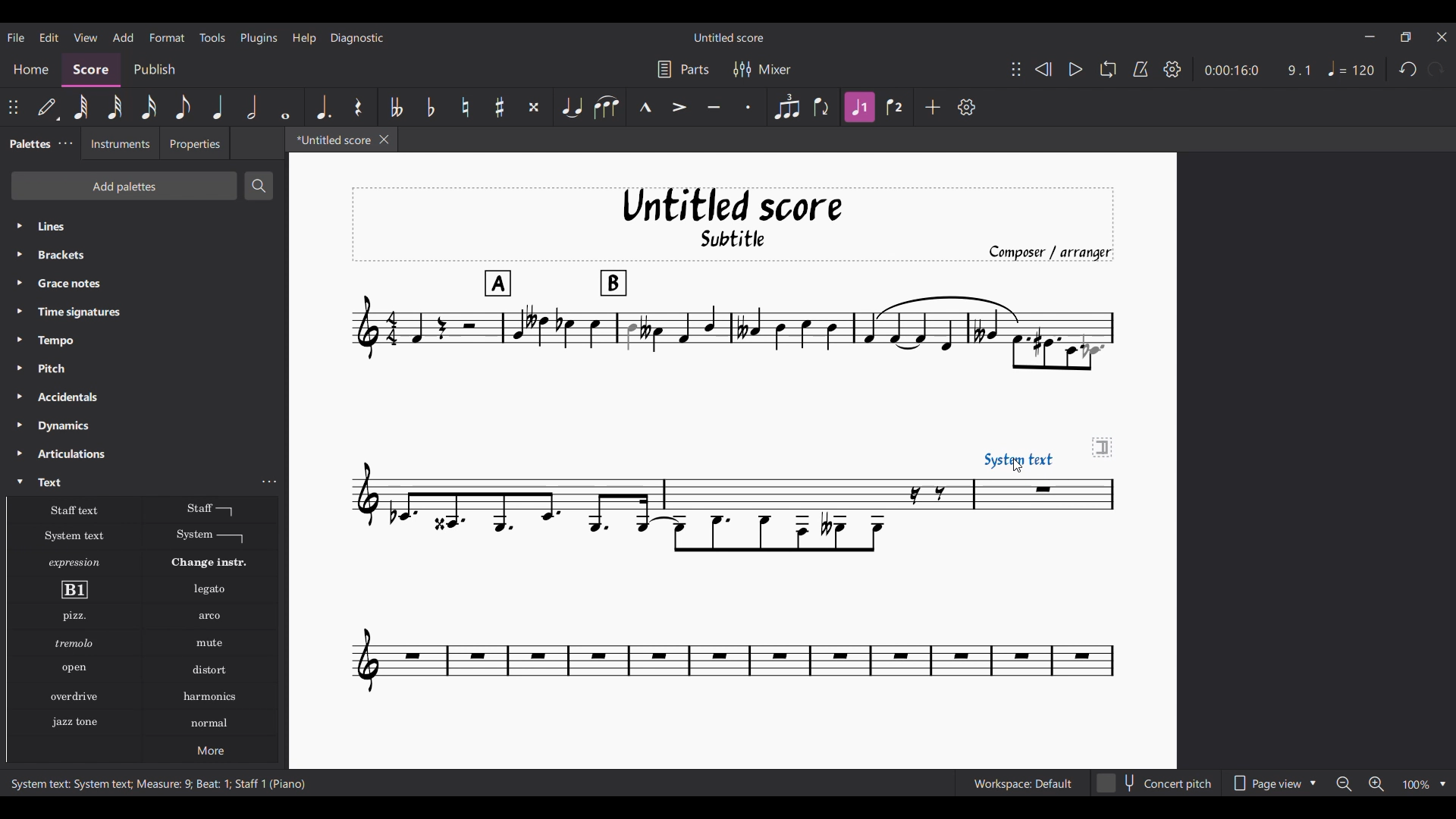  Describe the element at coordinates (144, 283) in the screenshot. I see `Grace notes` at that location.